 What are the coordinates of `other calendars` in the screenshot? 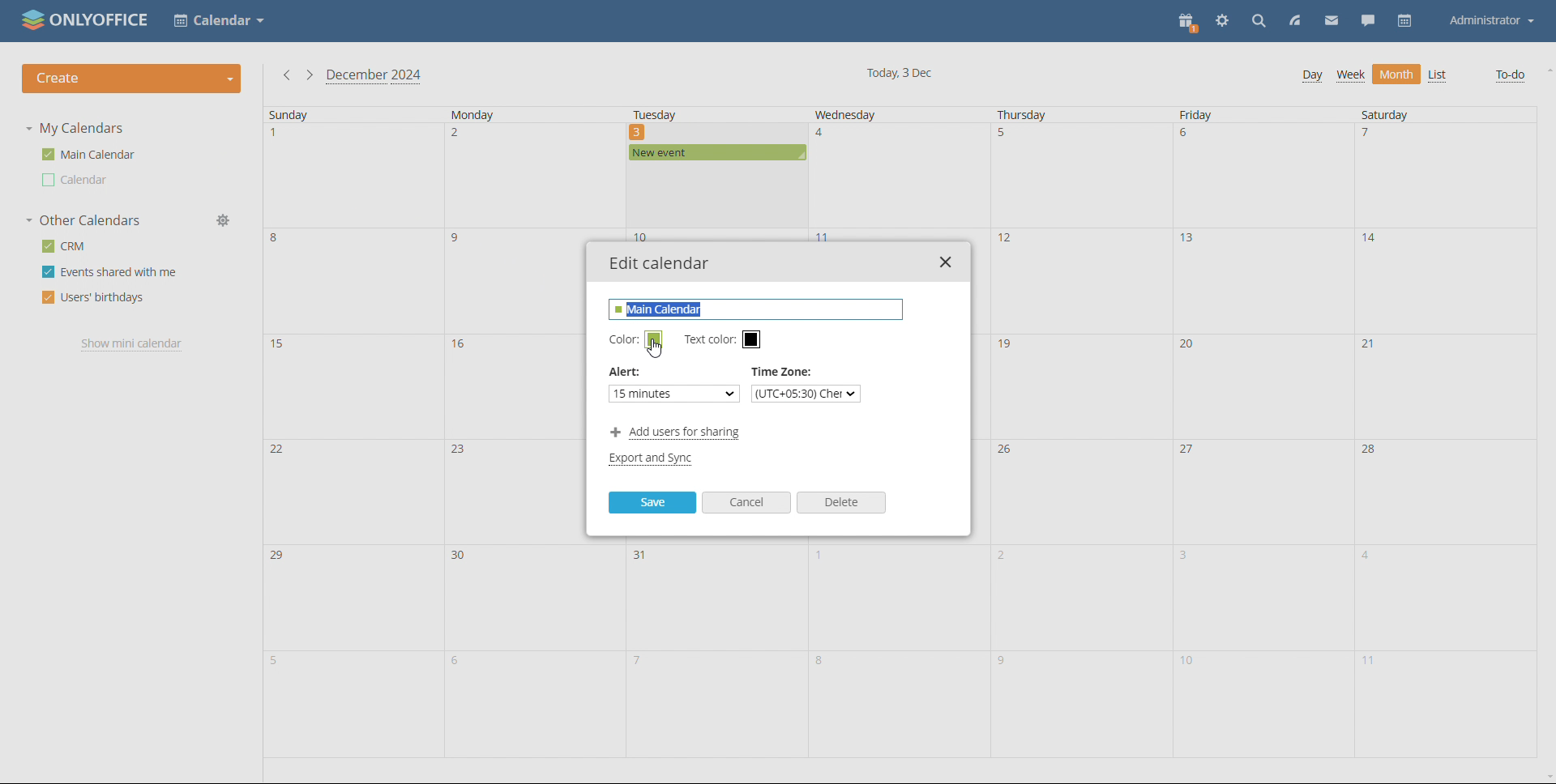 It's located at (83, 221).